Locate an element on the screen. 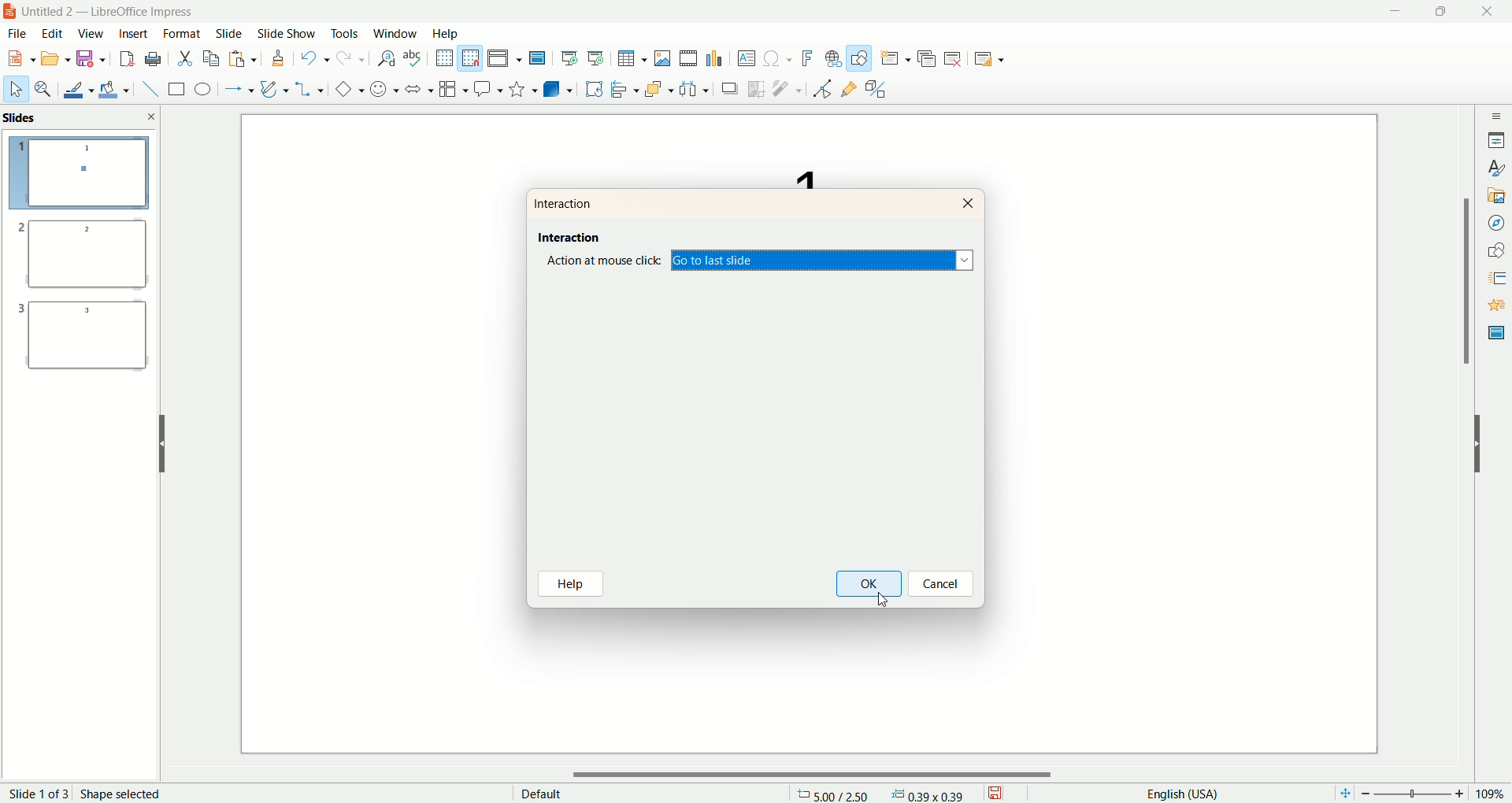 Image resolution: width=1512 pixels, height=803 pixels. help is located at coordinates (575, 585).